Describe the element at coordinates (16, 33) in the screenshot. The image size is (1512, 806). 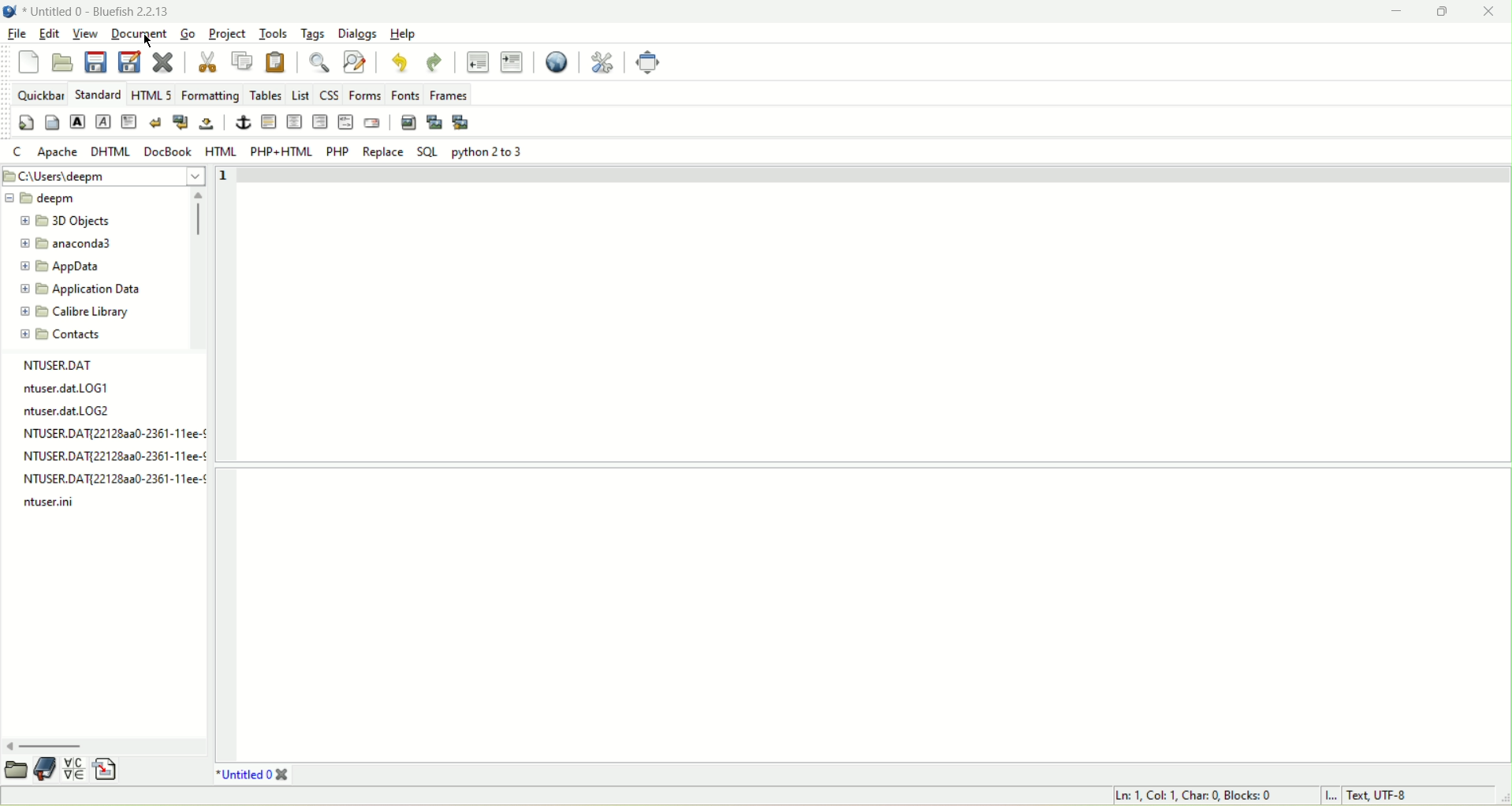
I see `file` at that location.